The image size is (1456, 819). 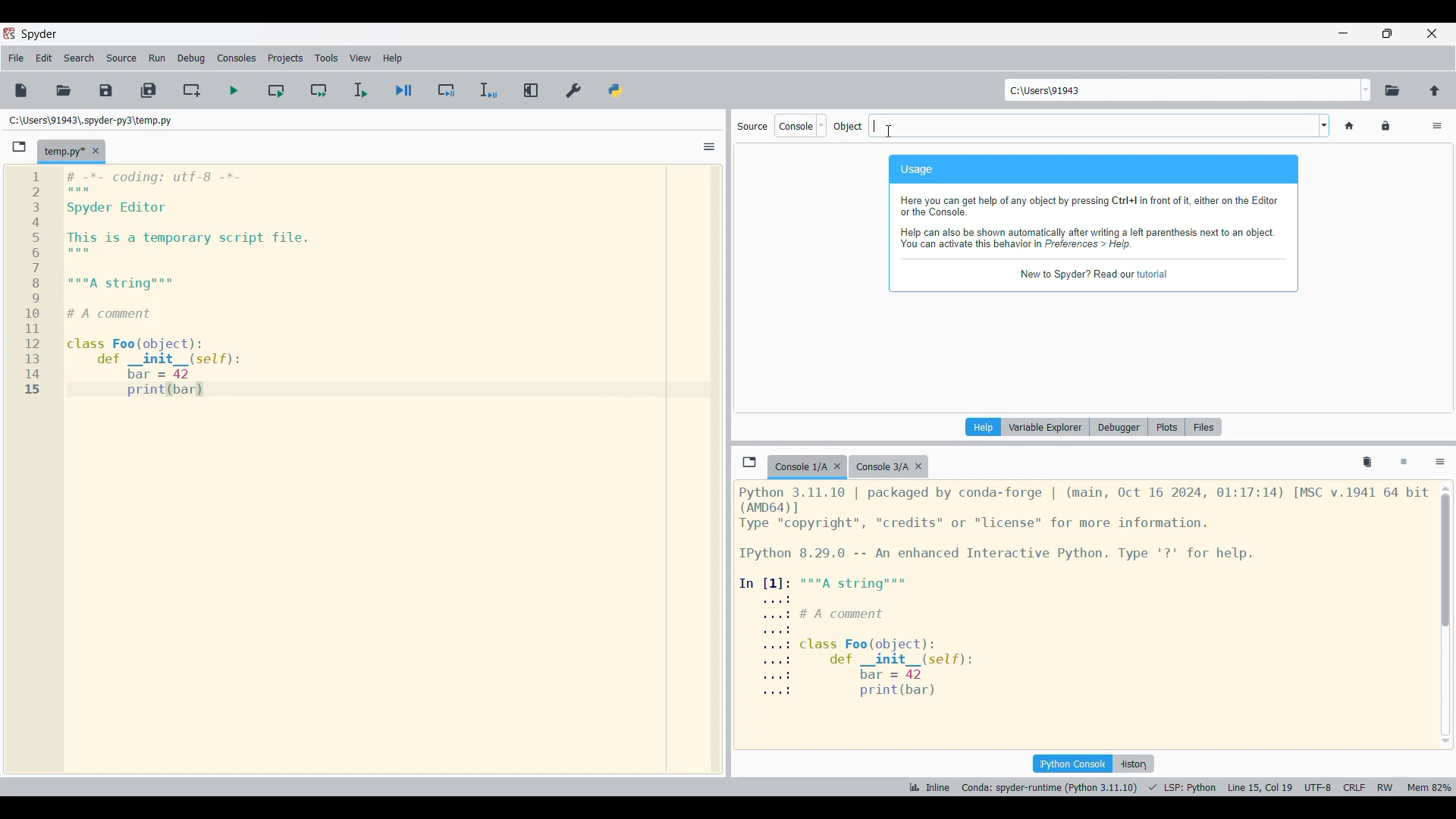 What do you see at coordinates (1354, 784) in the screenshot?
I see `CRLF` at bounding box center [1354, 784].